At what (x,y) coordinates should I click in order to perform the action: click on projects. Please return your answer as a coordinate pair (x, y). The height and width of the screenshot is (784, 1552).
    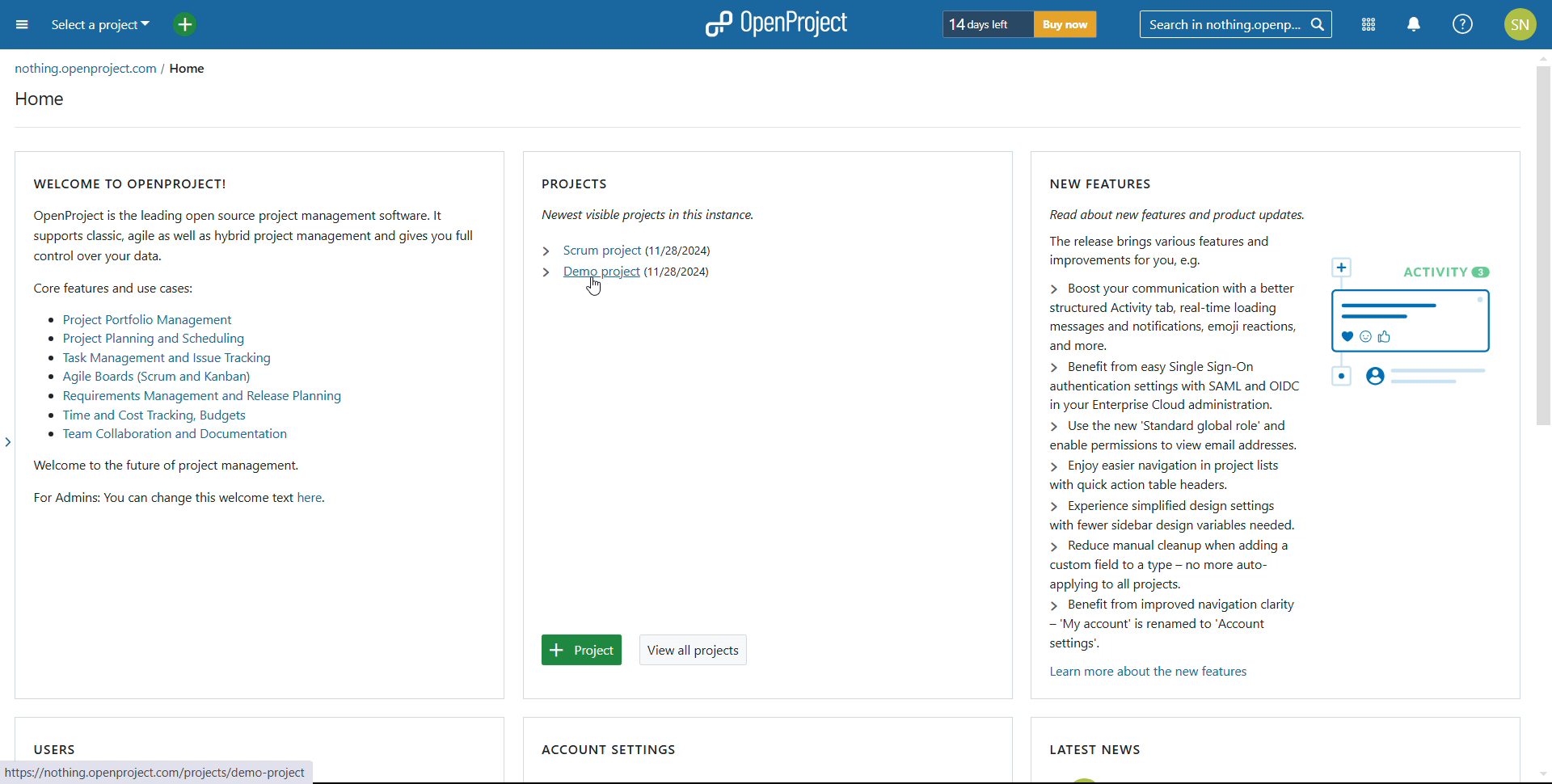
    Looking at the image, I should click on (647, 200).